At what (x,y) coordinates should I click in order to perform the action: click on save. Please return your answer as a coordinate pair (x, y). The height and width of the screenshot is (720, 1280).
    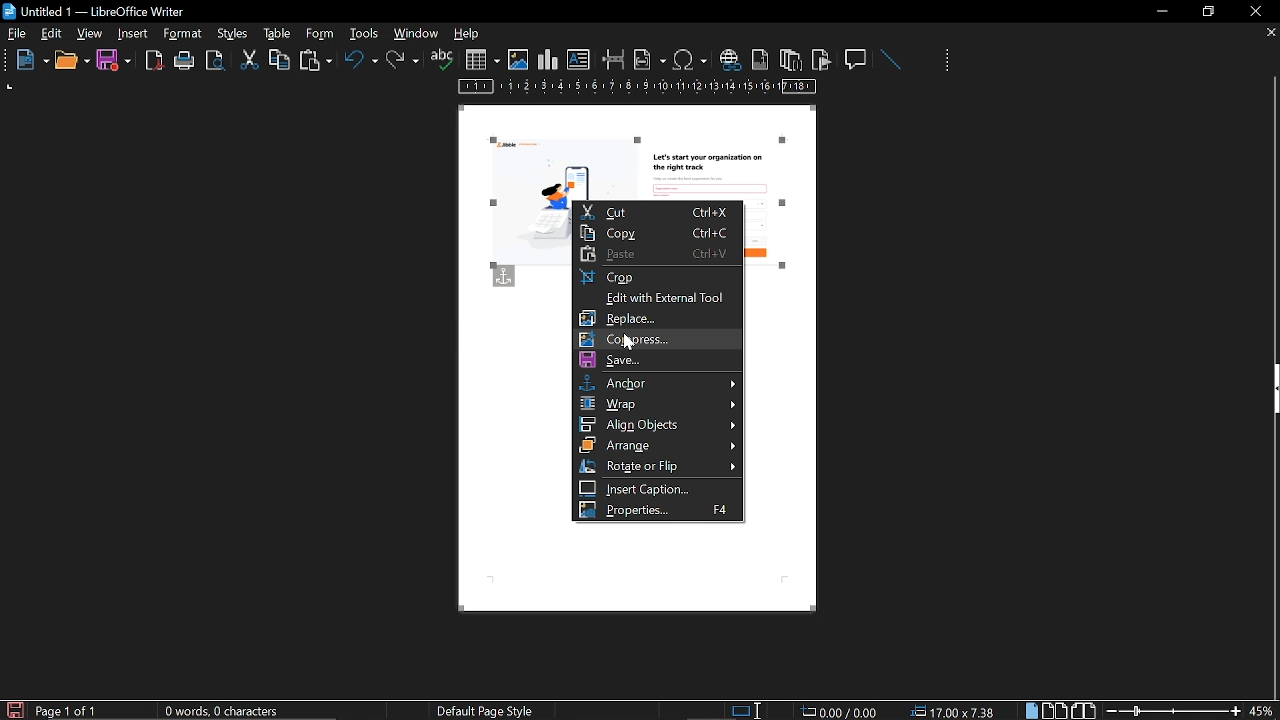
    Looking at the image, I should click on (114, 61).